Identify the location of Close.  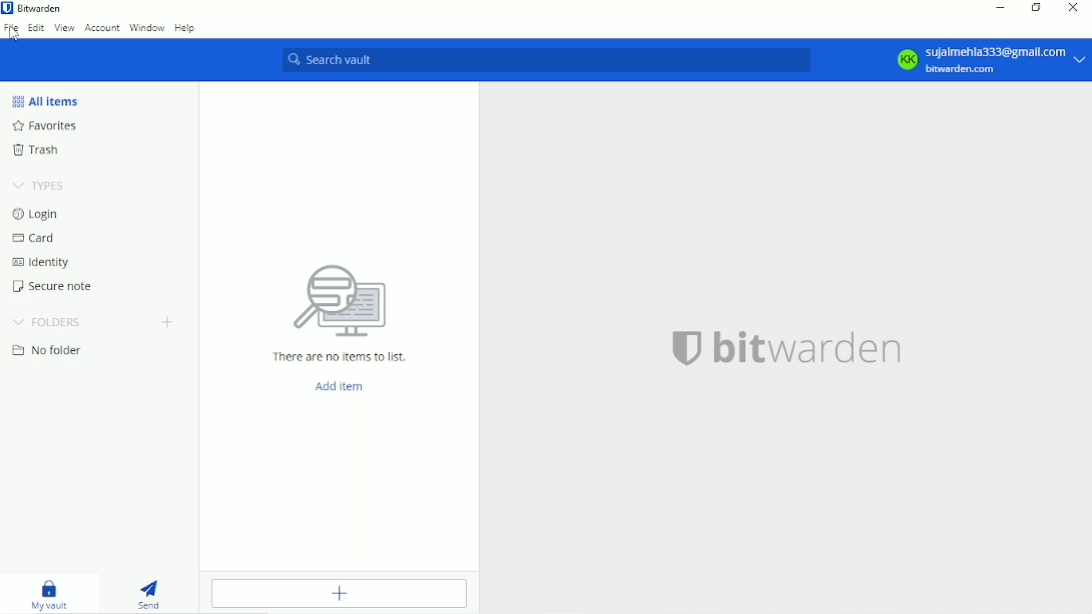
(1074, 9).